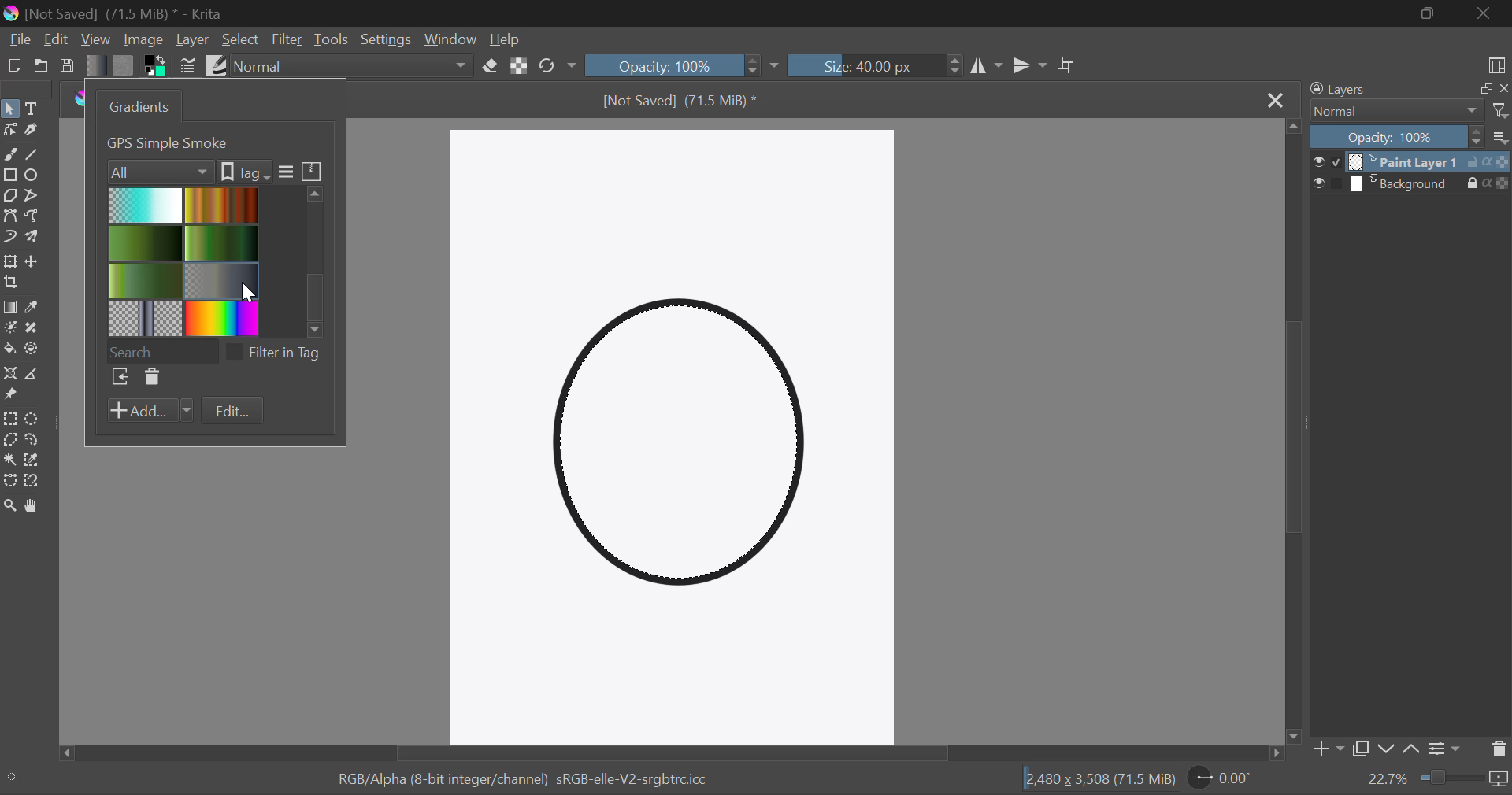  Describe the element at coordinates (11, 284) in the screenshot. I see `Crop` at that location.